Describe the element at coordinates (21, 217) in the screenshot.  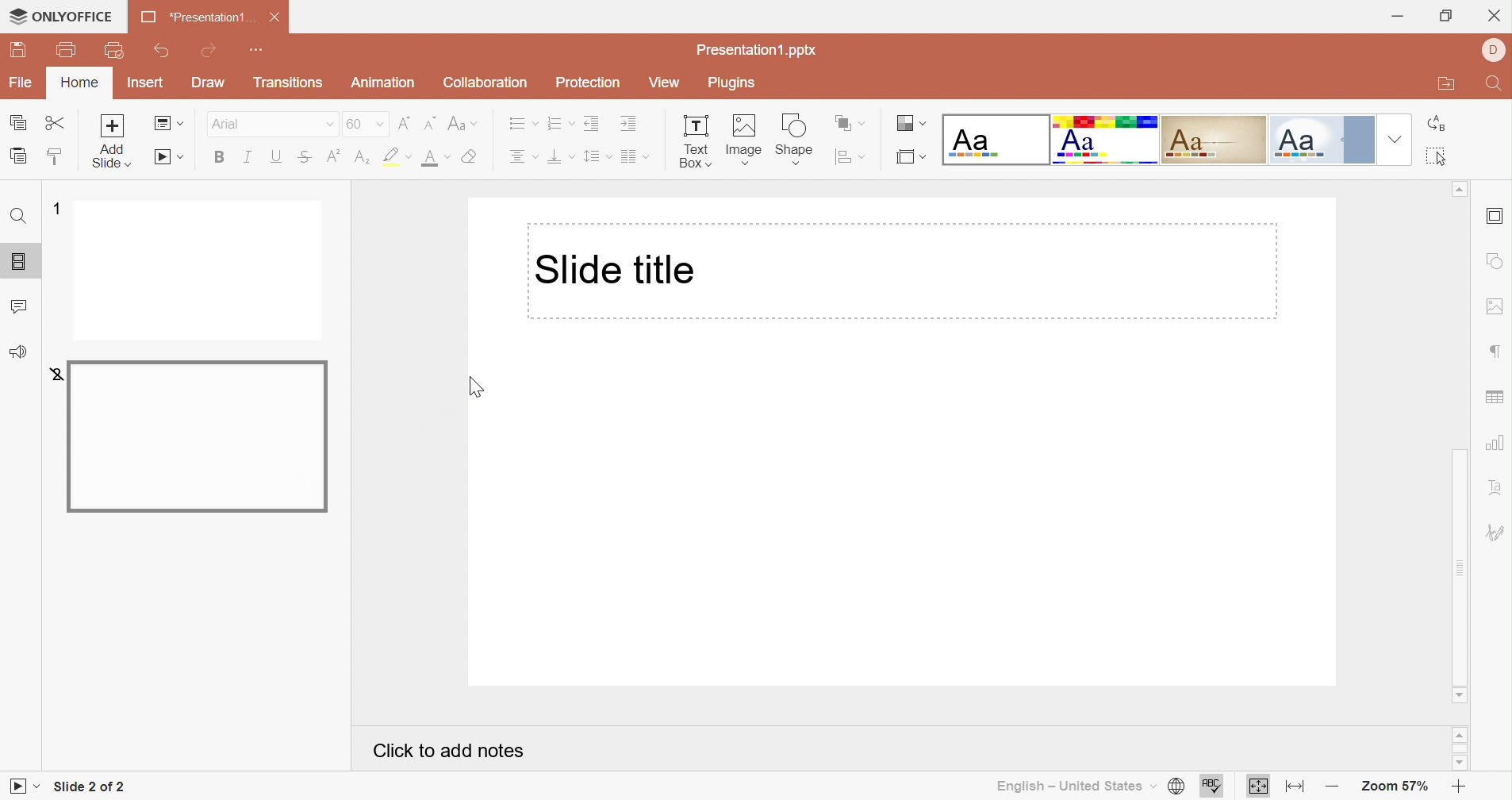
I see `Find` at that location.